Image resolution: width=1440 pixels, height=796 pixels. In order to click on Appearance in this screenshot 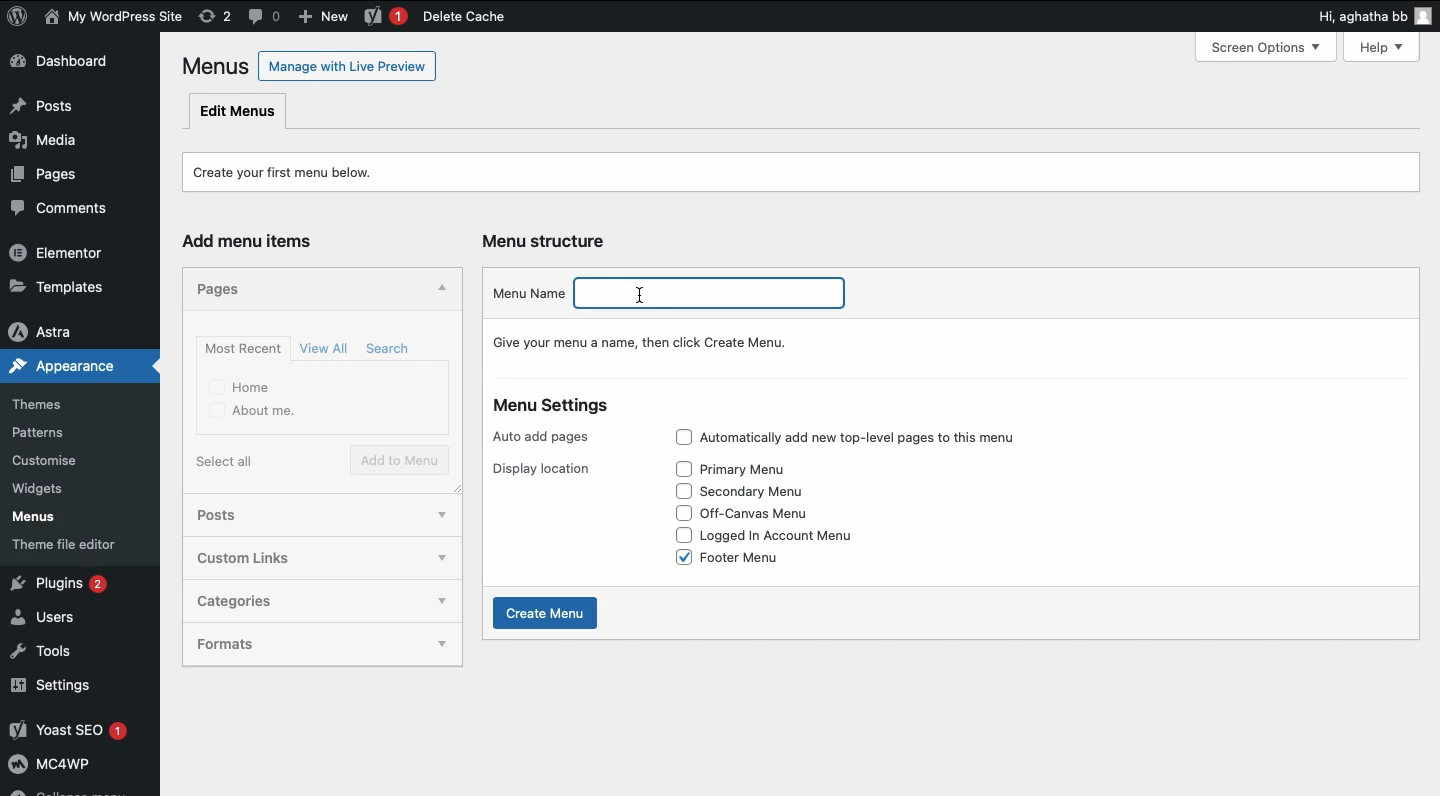, I will do `click(58, 370)`.